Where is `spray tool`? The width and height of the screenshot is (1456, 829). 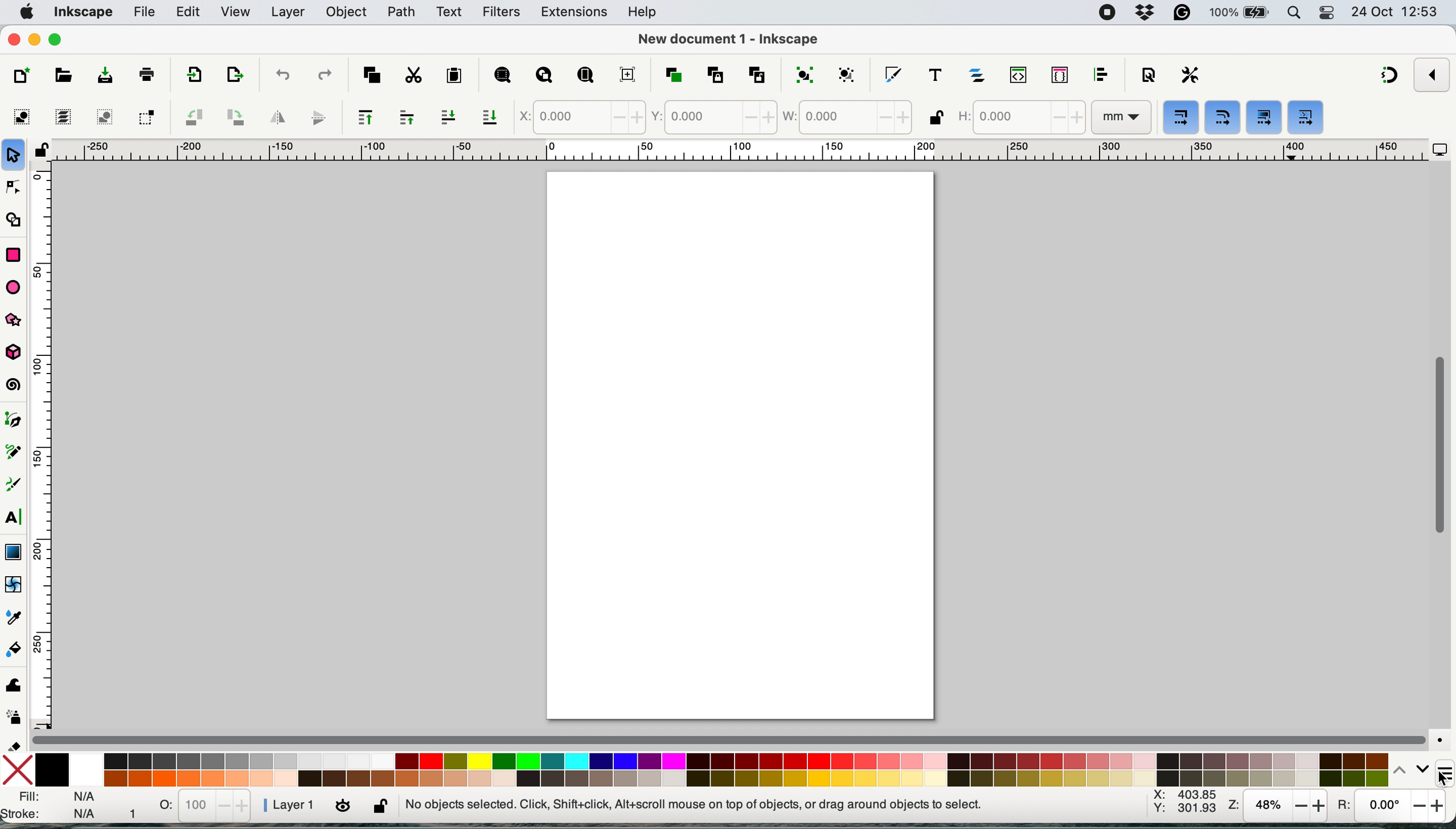 spray tool is located at coordinates (14, 715).